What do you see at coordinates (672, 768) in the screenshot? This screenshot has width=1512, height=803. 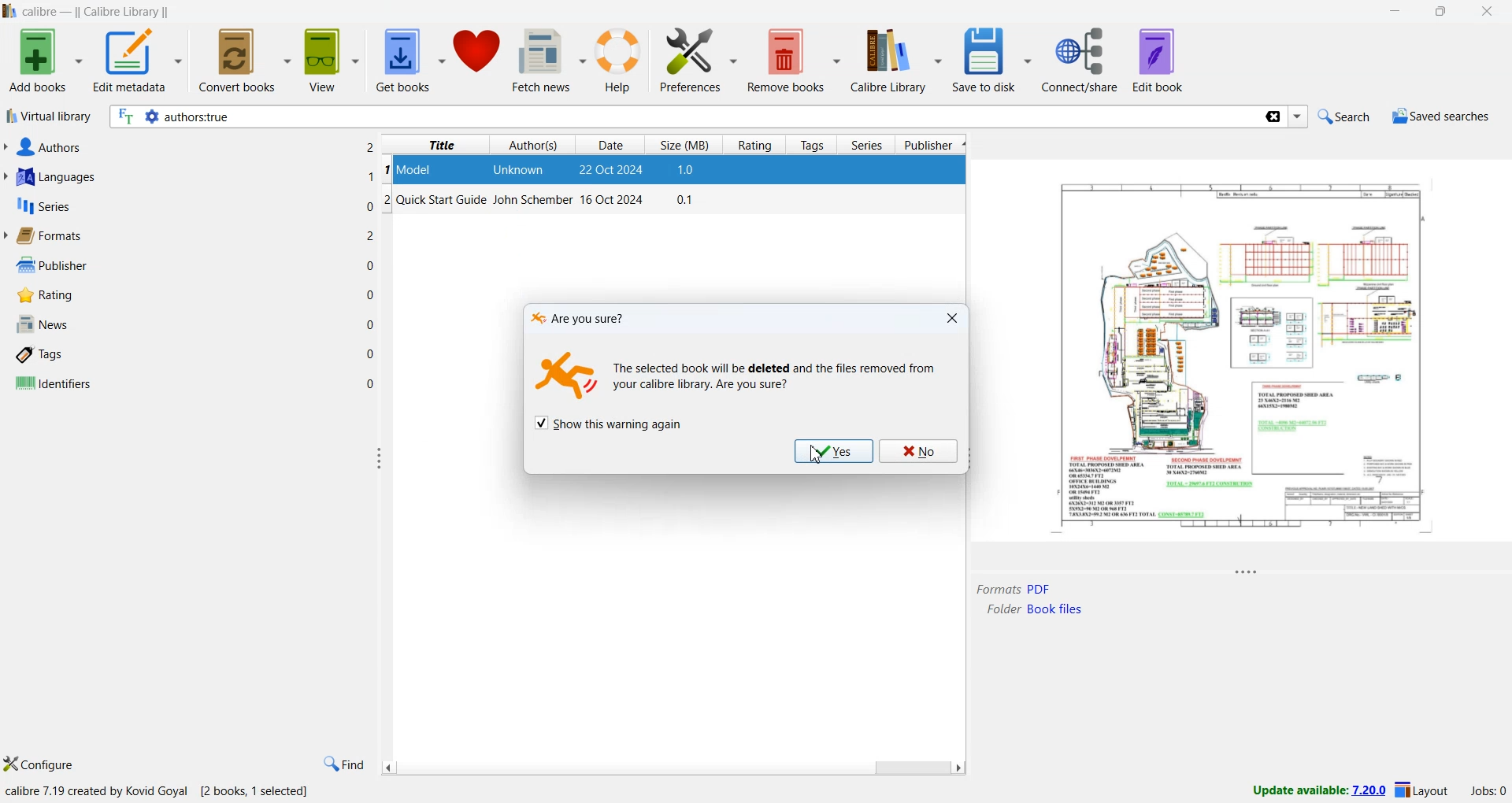 I see `Scroll` at bounding box center [672, 768].